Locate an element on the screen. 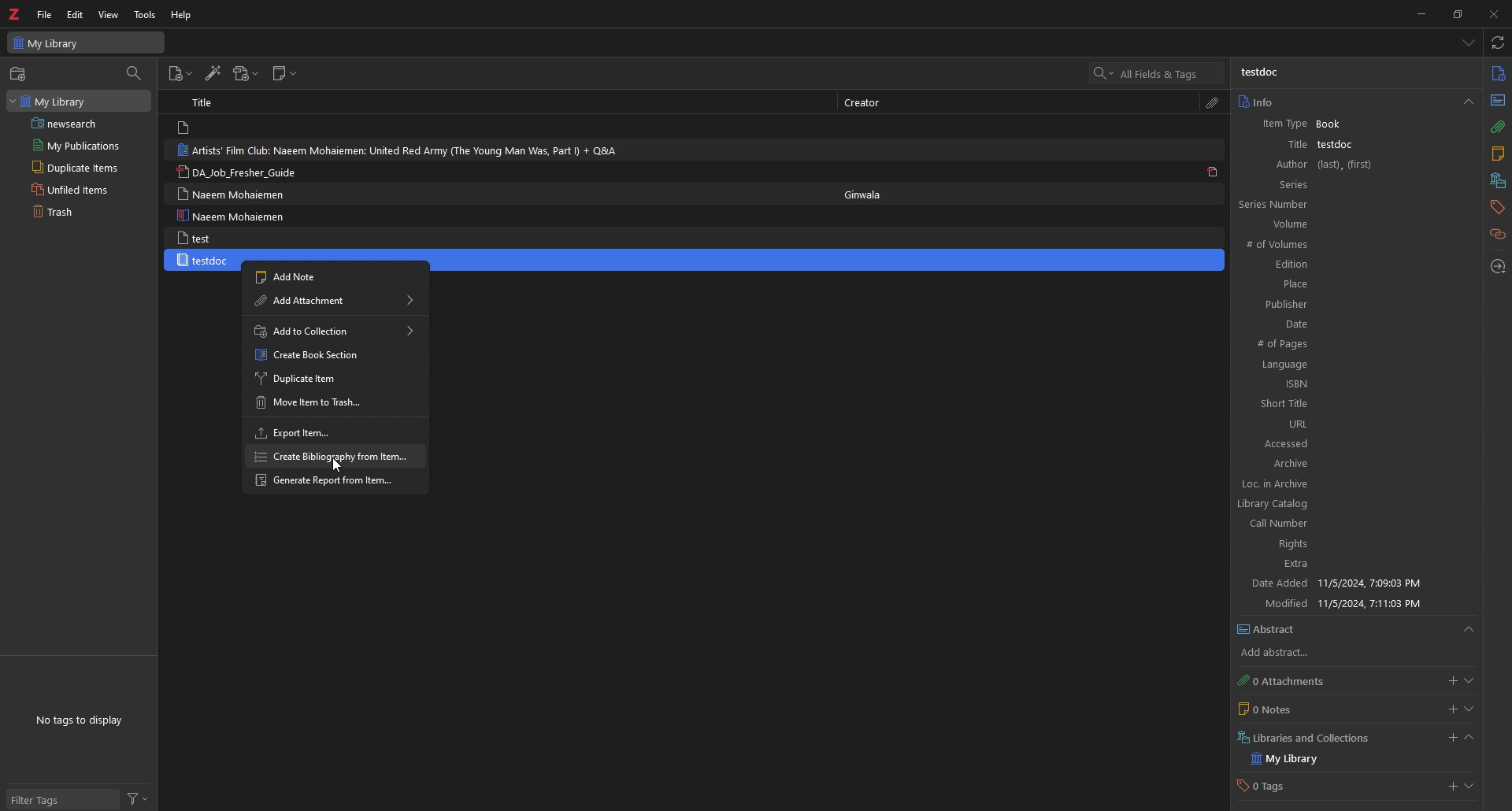 Image resolution: width=1512 pixels, height=811 pixels. collection and libraries is located at coordinates (1496, 182).